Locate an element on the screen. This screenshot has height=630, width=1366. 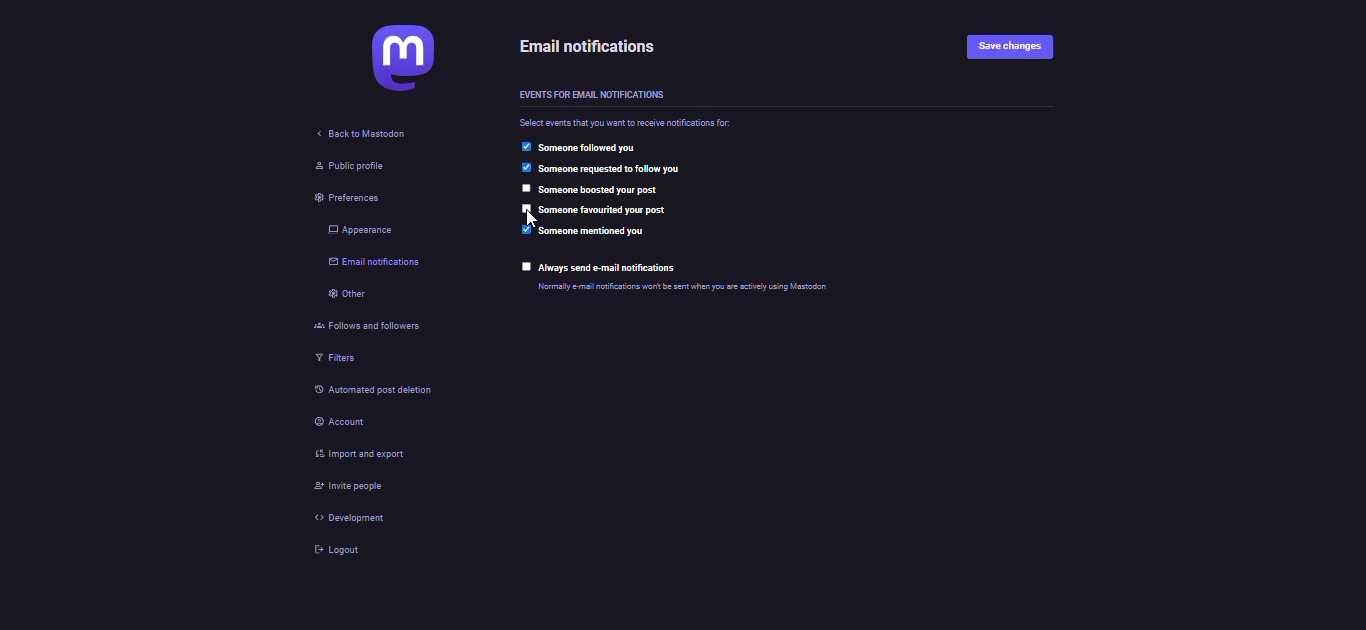
enabled is located at coordinates (525, 230).